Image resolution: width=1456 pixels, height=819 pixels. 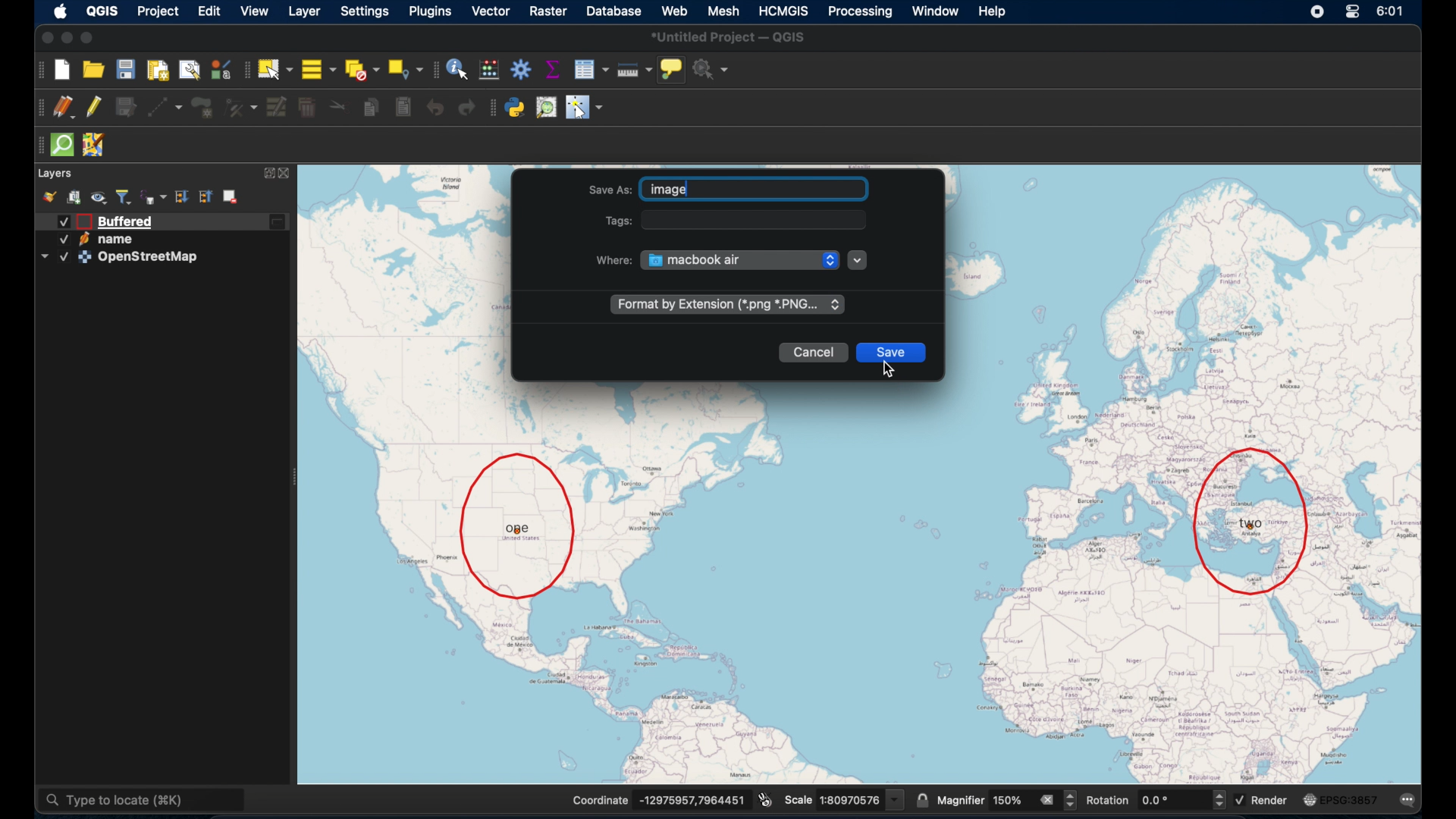 What do you see at coordinates (759, 219) in the screenshot?
I see `tags input field` at bounding box center [759, 219].